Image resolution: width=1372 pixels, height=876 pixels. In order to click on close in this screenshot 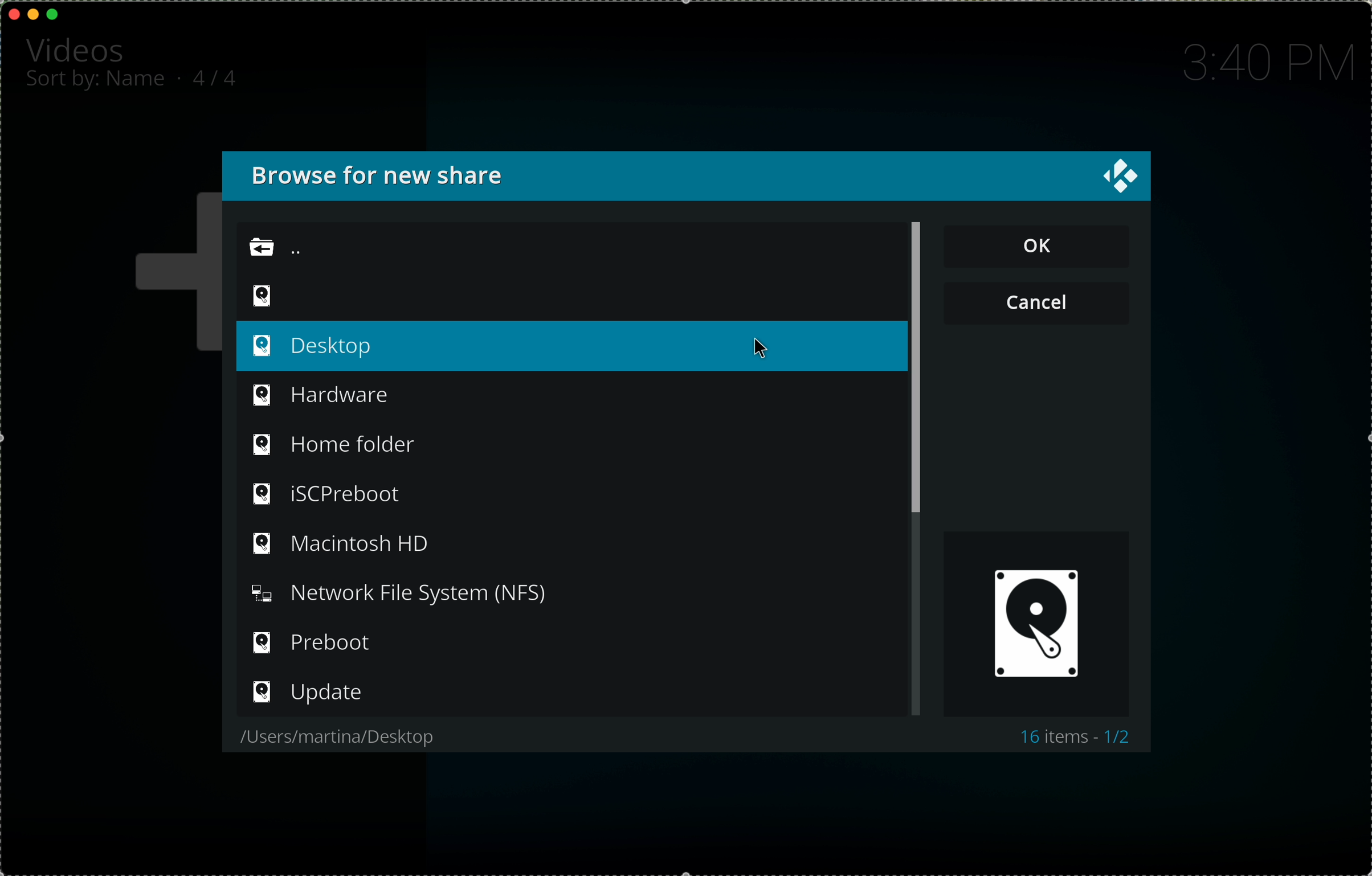, I will do `click(1124, 176)`.